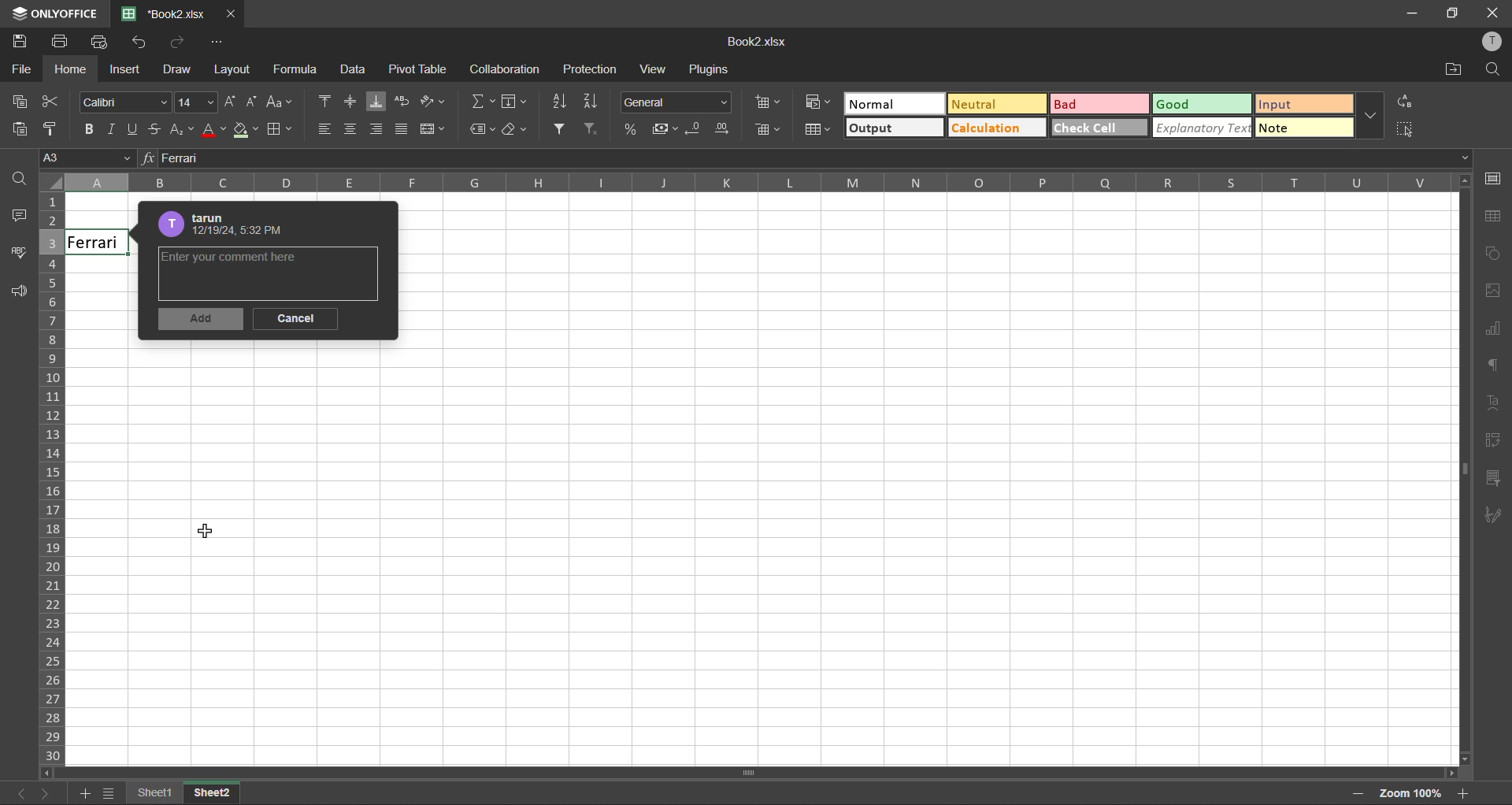 The width and height of the screenshot is (1512, 805). I want to click on row numbers, so click(52, 478).